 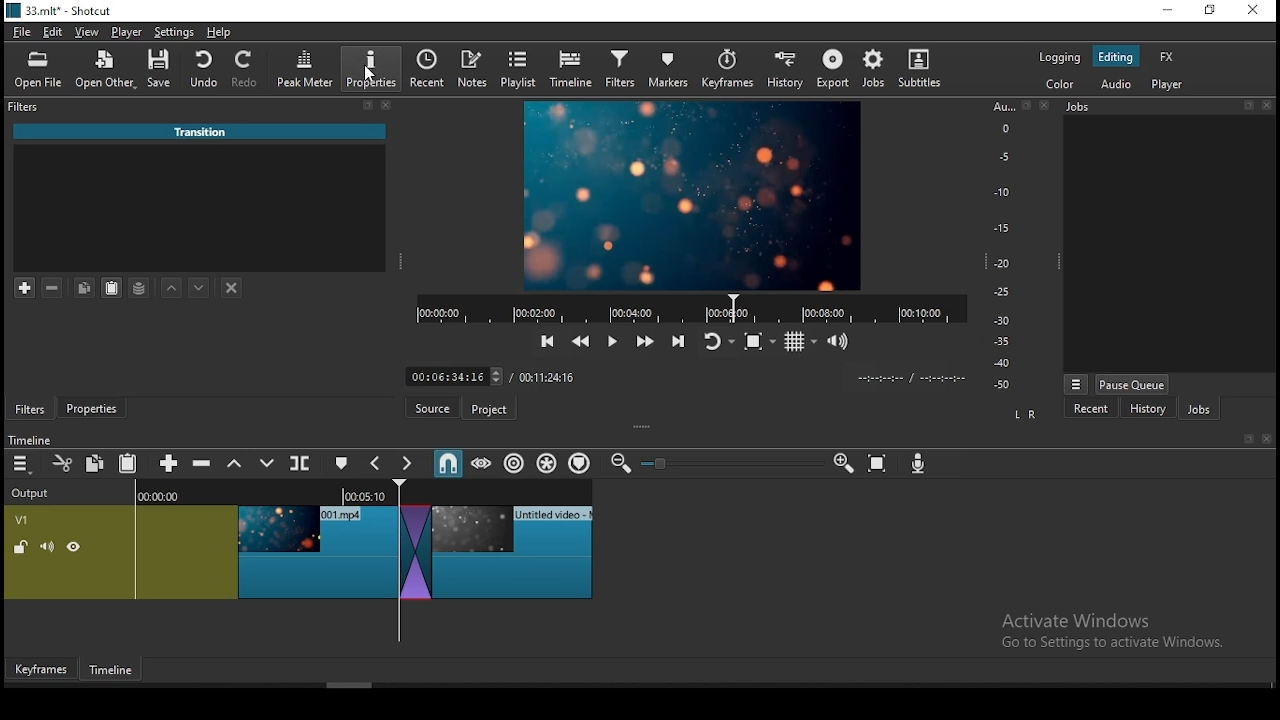 I want to click on , so click(x=921, y=466).